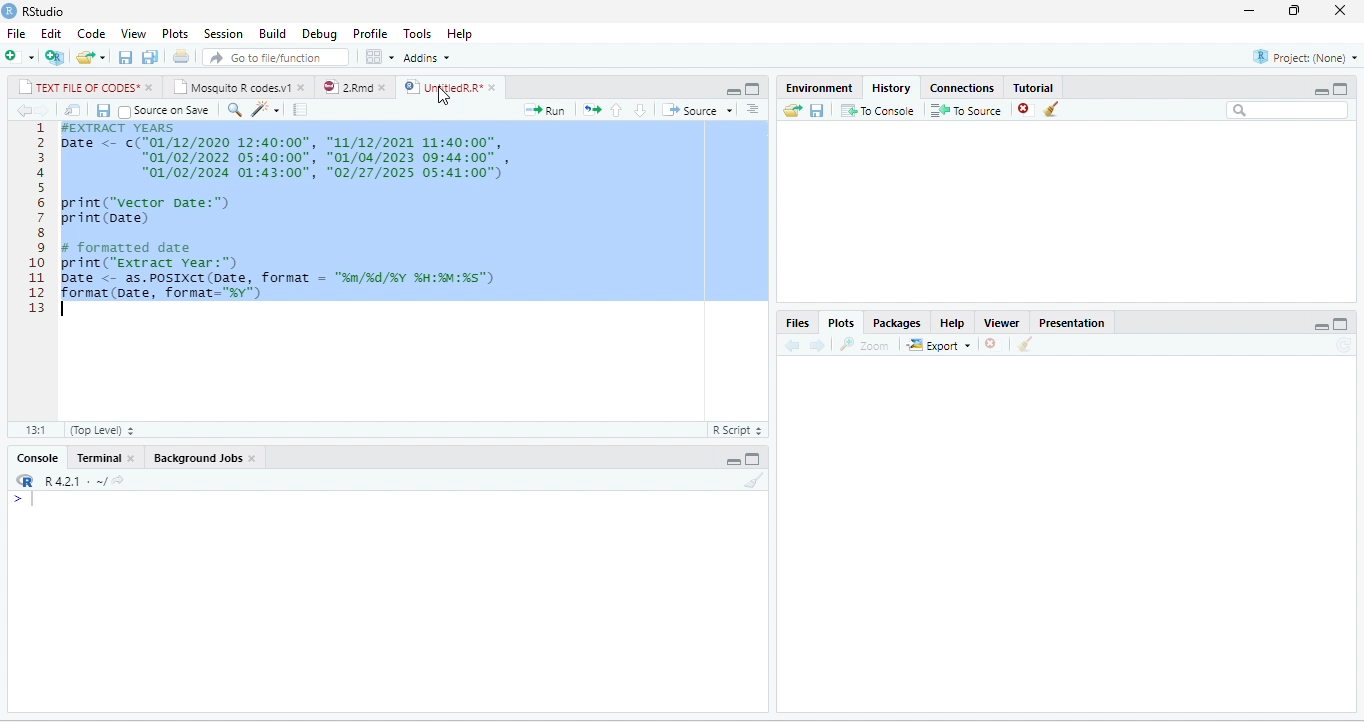 The height and width of the screenshot is (722, 1364). What do you see at coordinates (321, 34) in the screenshot?
I see `Debug` at bounding box center [321, 34].